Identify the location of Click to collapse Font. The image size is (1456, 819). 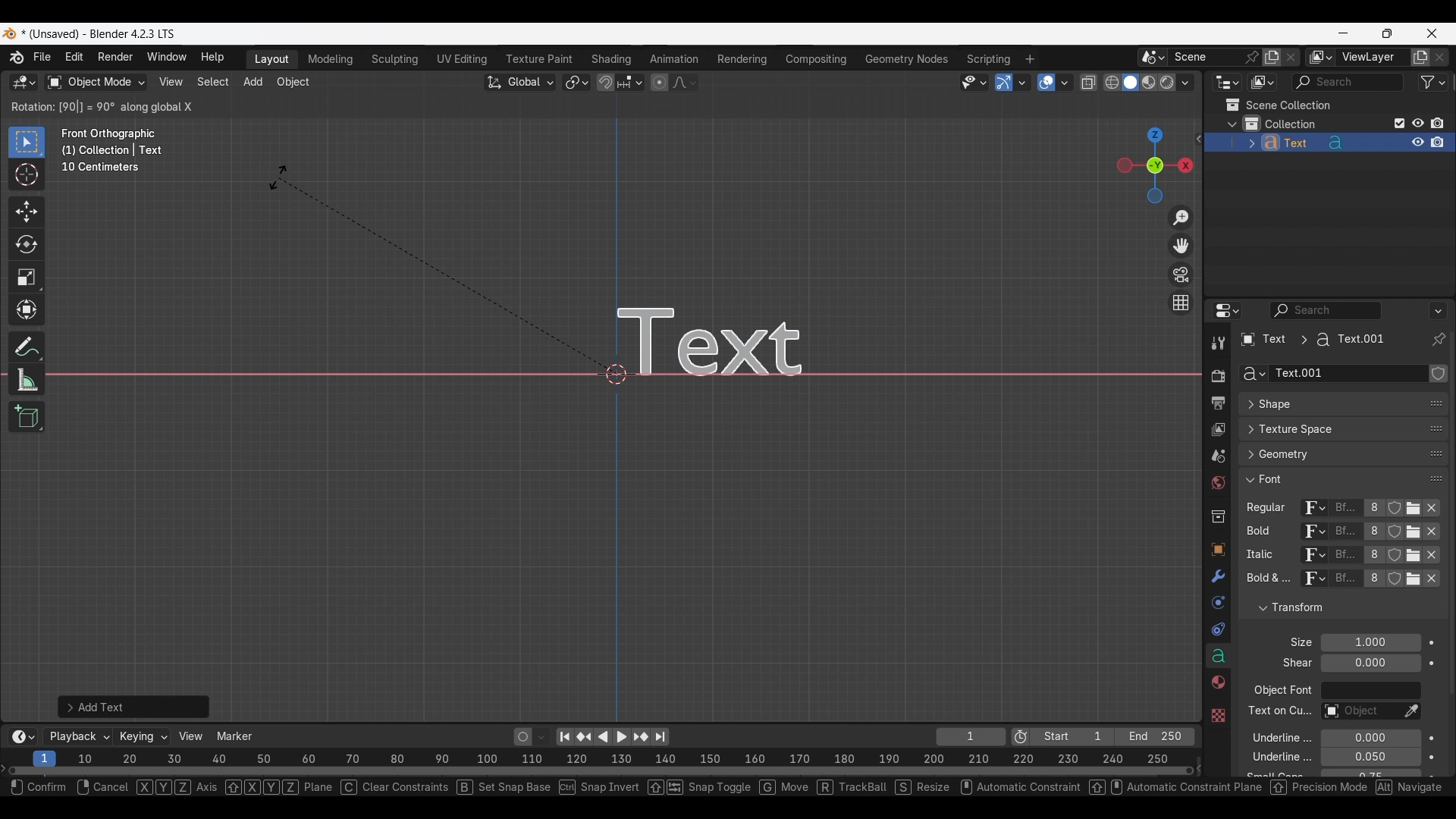
(1328, 479).